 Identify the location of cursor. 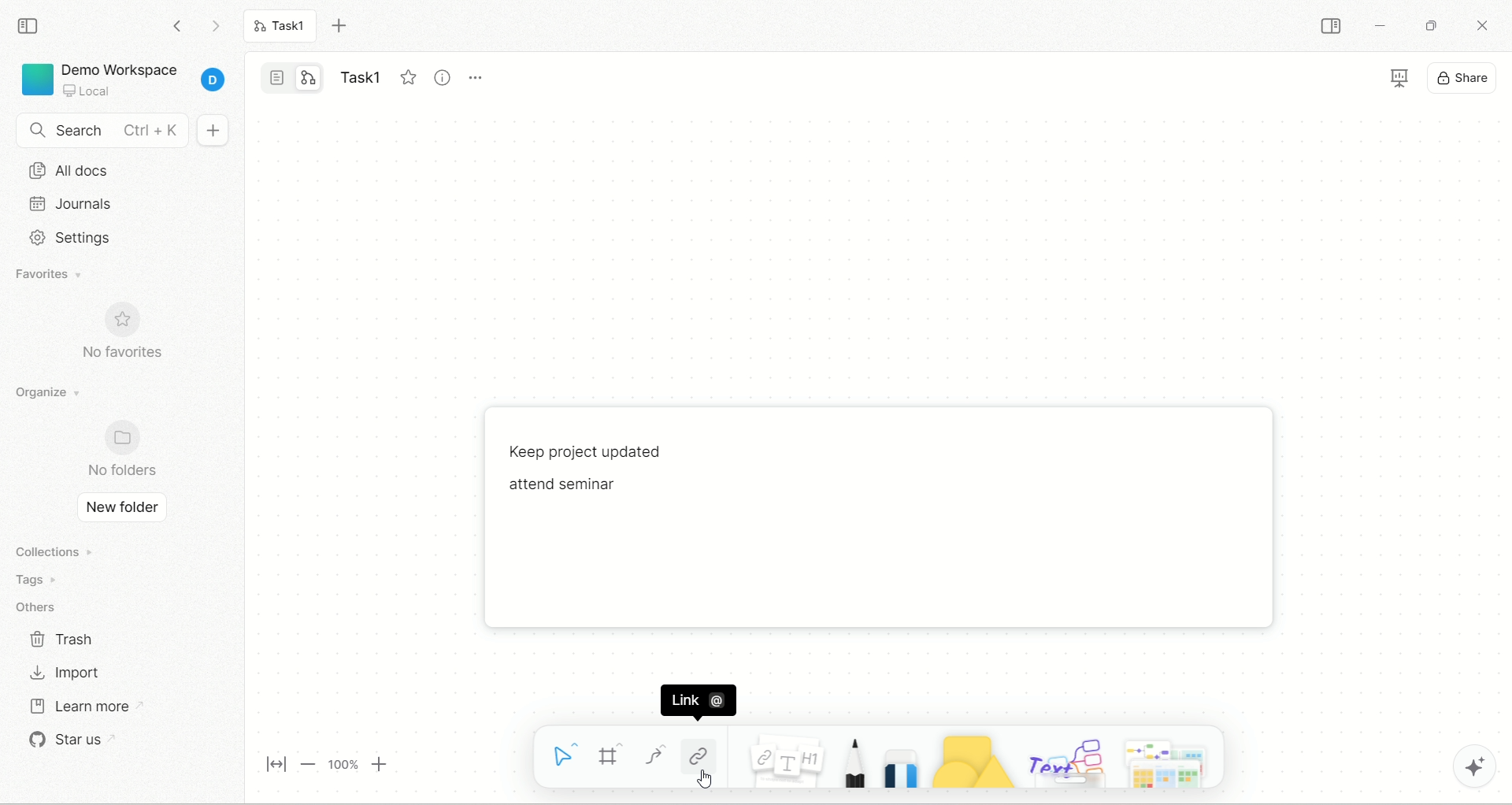
(706, 779).